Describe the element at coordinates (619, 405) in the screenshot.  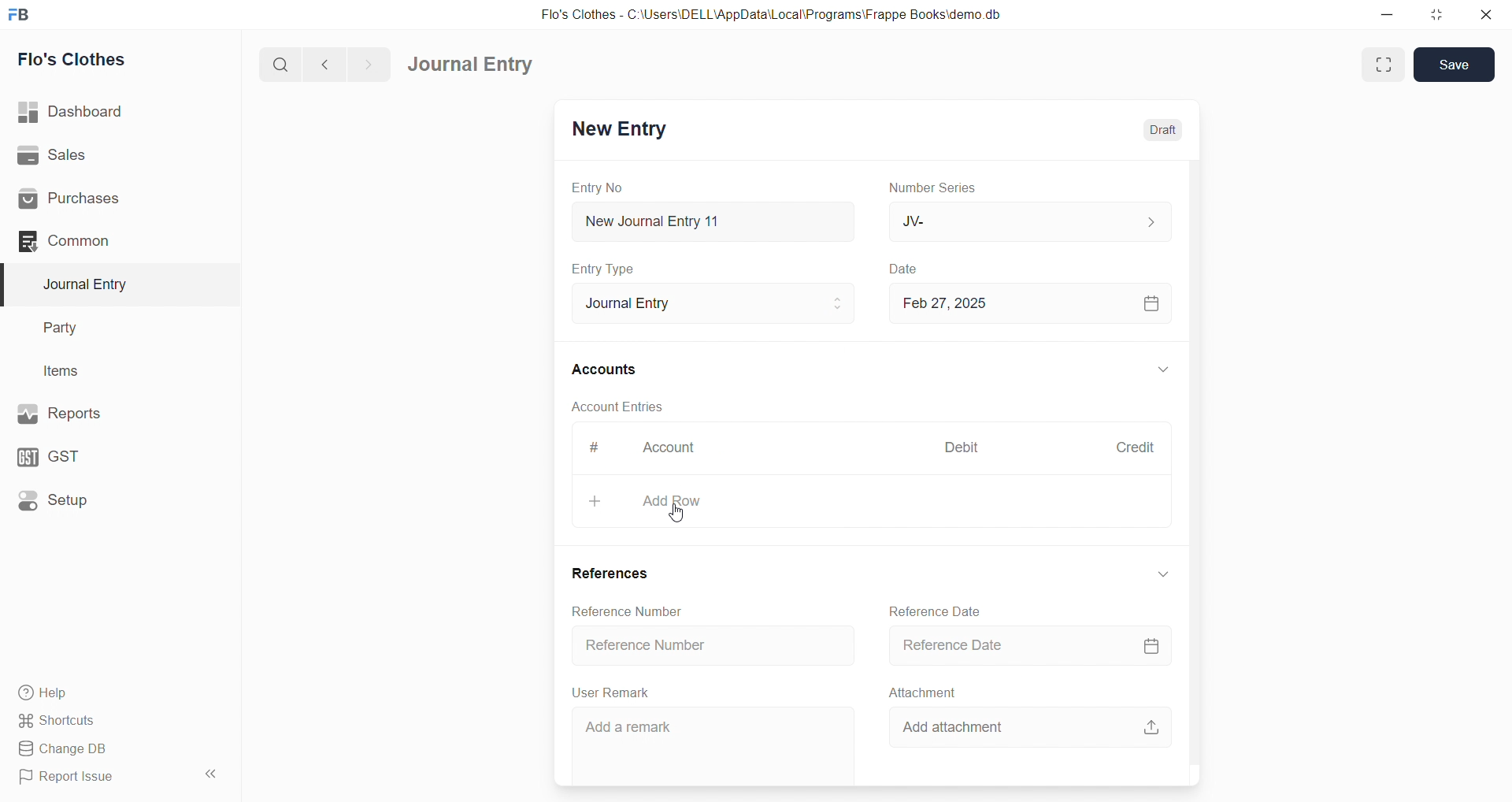
I see `Account Entries` at that location.